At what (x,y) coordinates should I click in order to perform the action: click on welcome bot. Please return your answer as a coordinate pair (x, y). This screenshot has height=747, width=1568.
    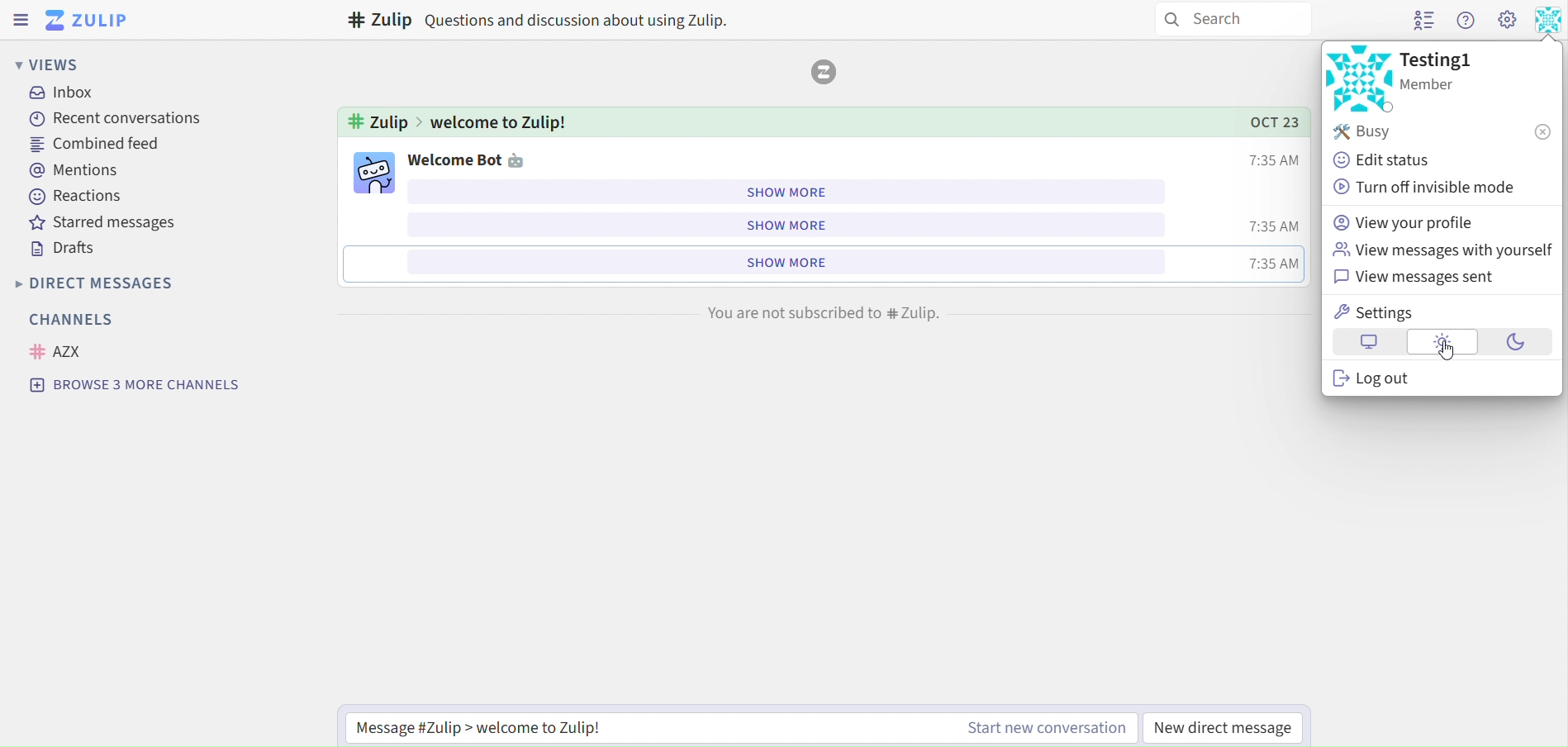
    Looking at the image, I should click on (469, 159).